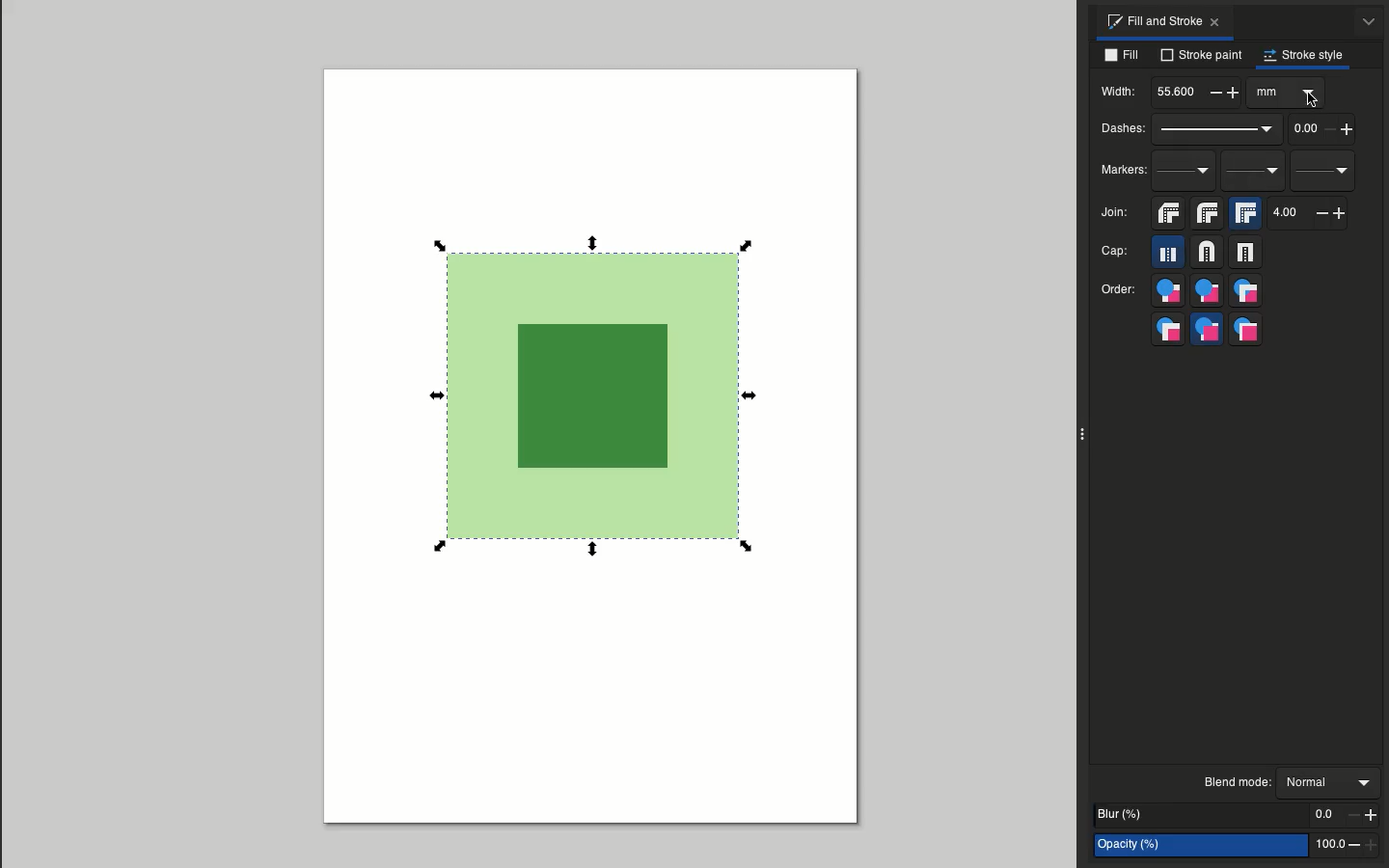  I want to click on Blur %, so click(1199, 817).